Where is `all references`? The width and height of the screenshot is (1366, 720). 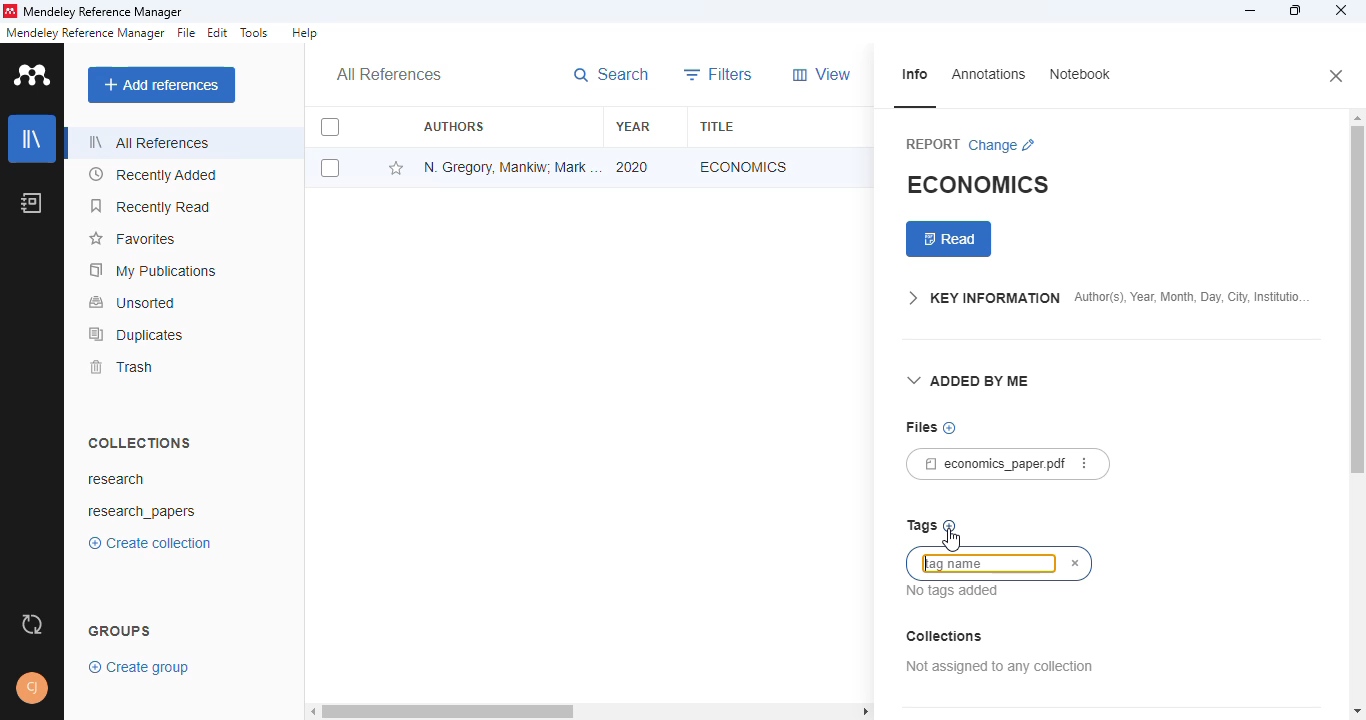 all references is located at coordinates (388, 74).